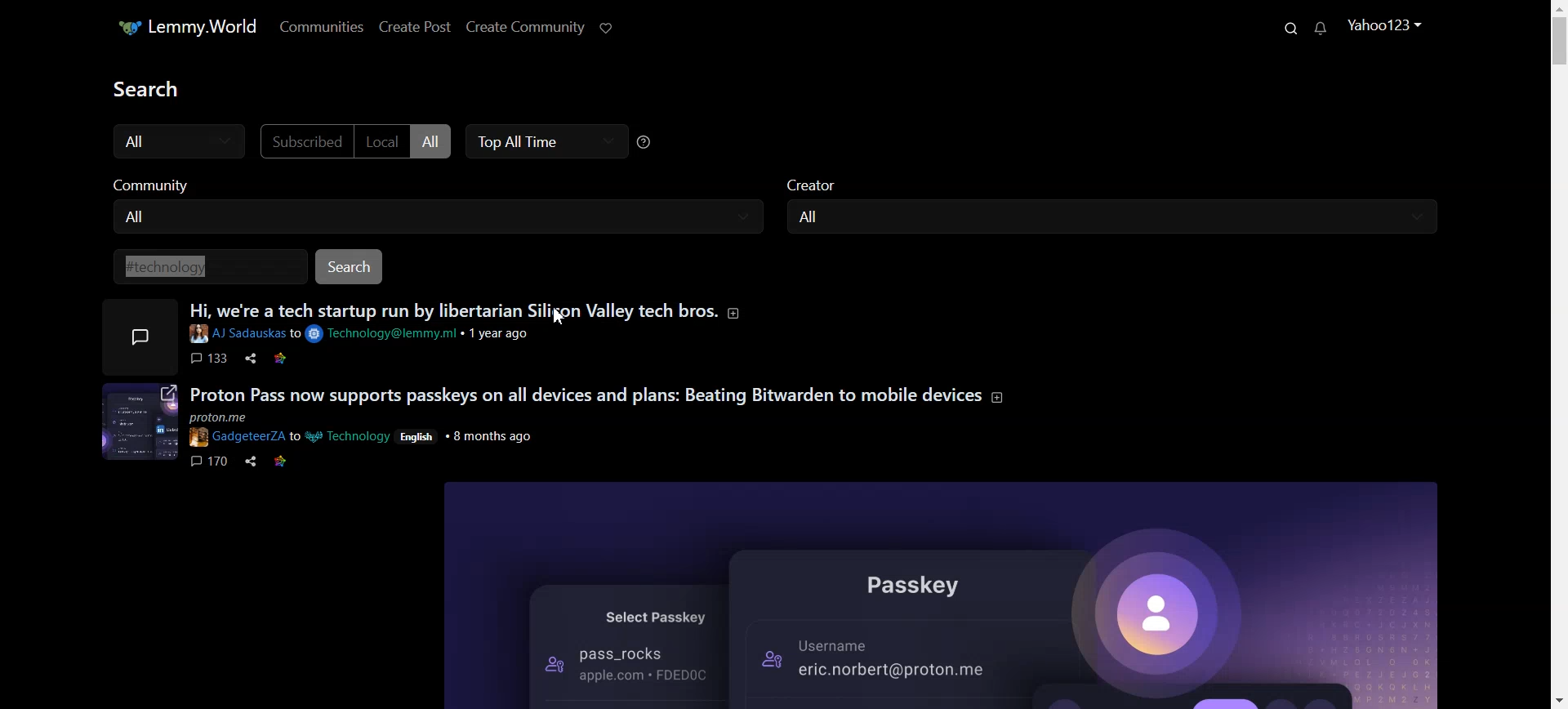 The height and width of the screenshot is (709, 1568). I want to click on cursor, so click(559, 319).